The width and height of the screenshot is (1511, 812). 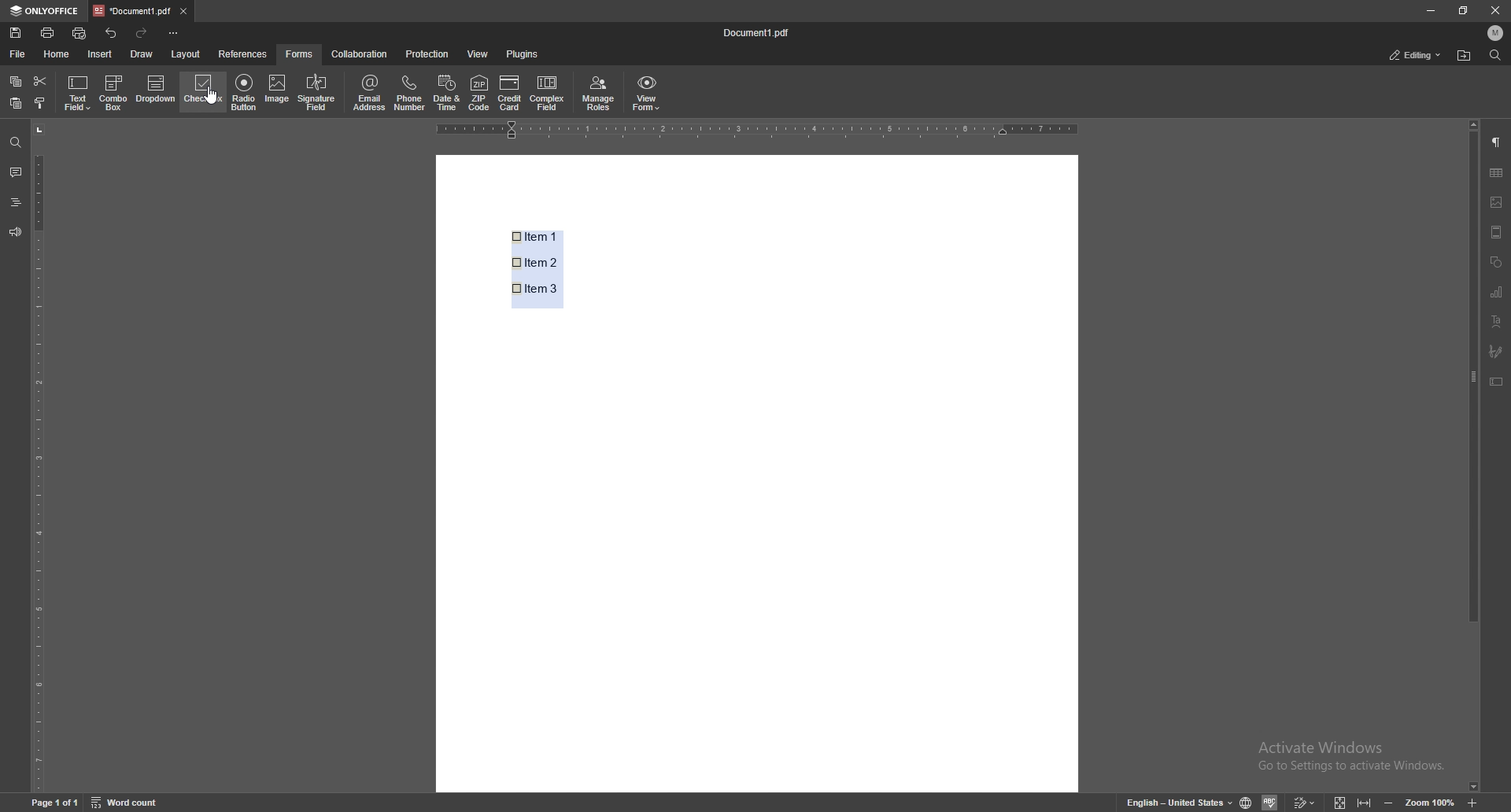 I want to click on close tab, so click(x=183, y=12).